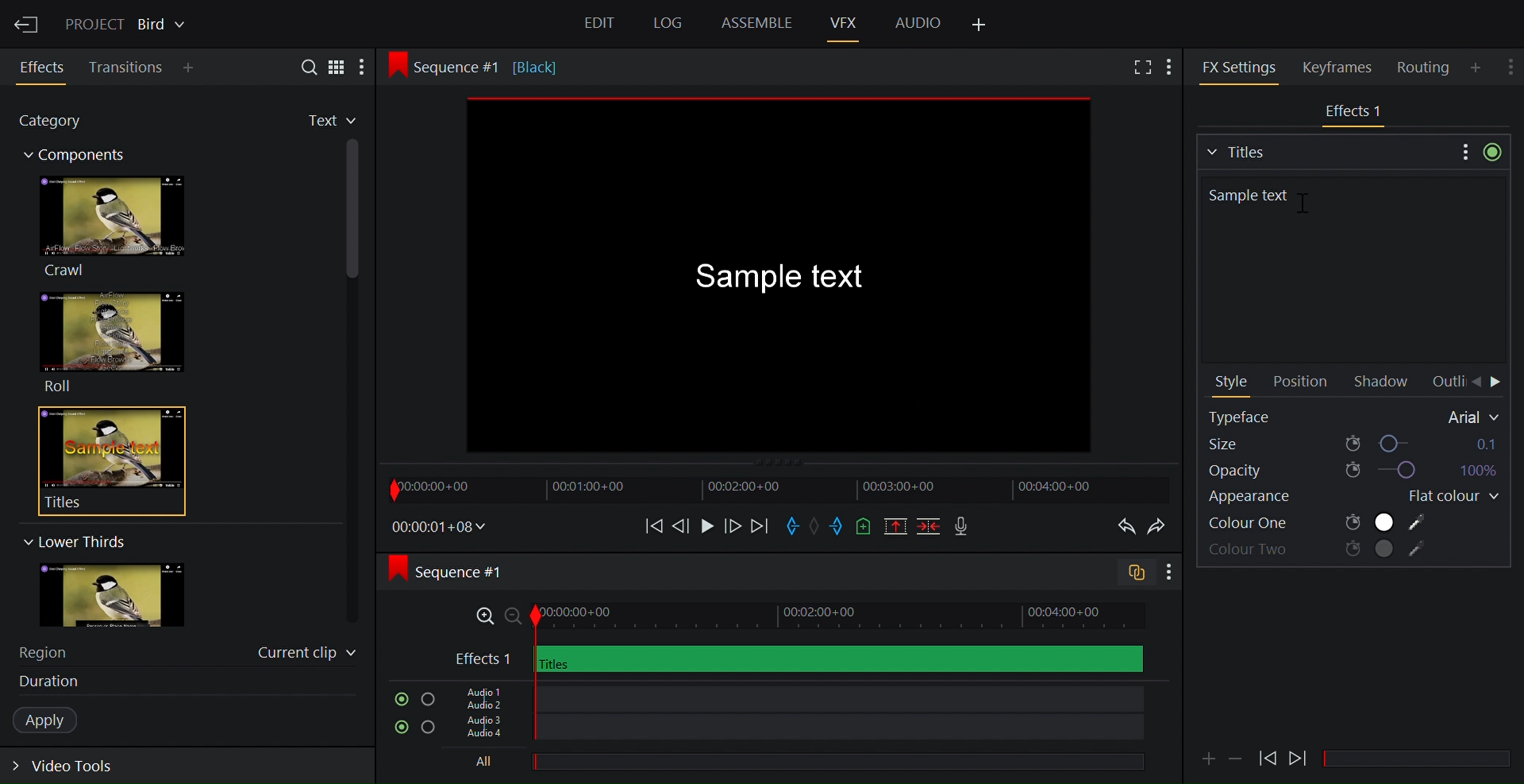 Image resolution: width=1524 pixels, height=784 pixels. I want to click on Position, so click(1299, 382).